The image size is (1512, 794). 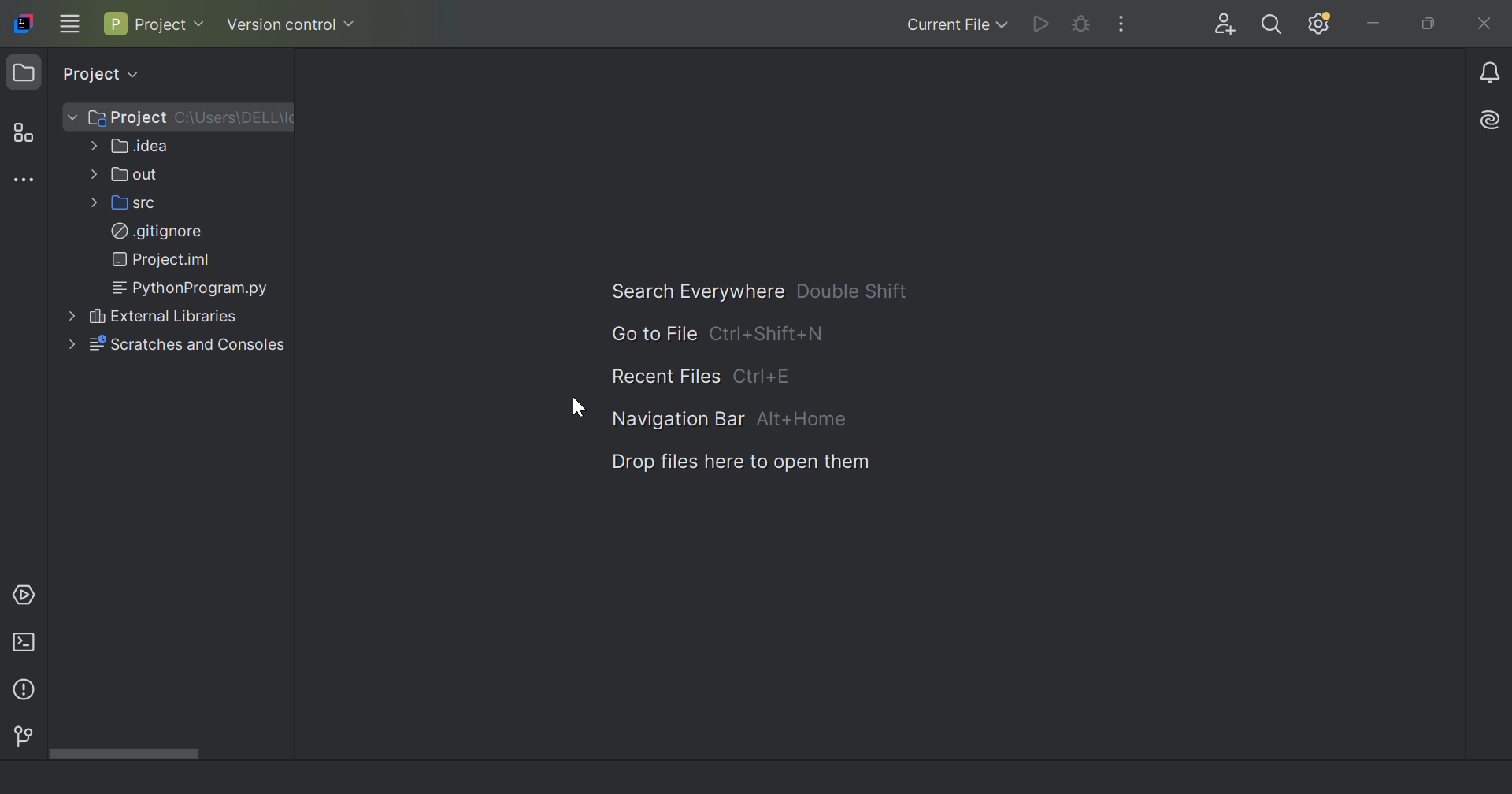 What do you see at coordinates (128, 755) in the screenshot?
I see `Scroll bar` at bounding box center [128, 755].